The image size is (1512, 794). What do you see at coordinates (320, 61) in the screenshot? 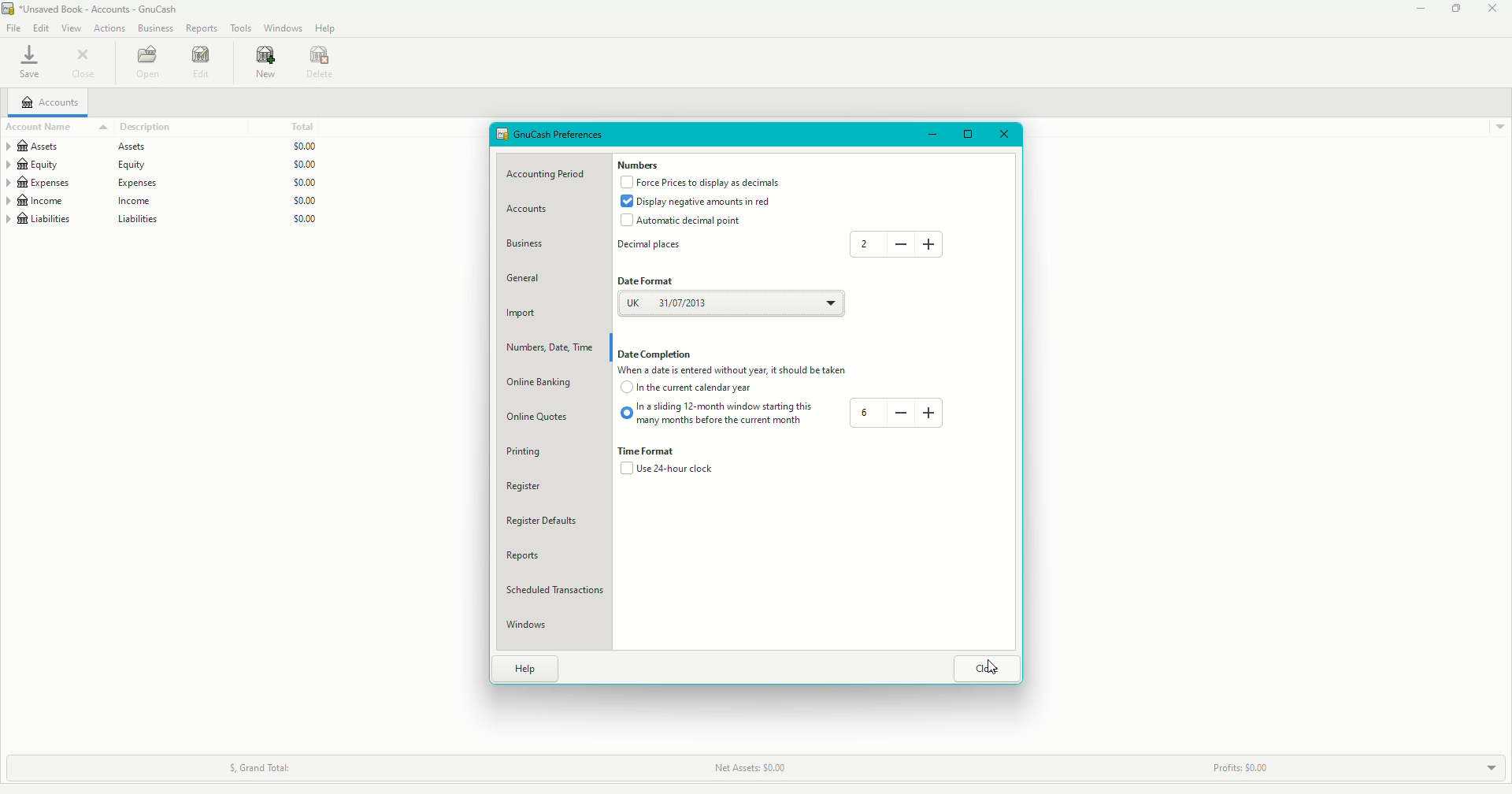
I see `Delete` at bounding box center [320, 61].